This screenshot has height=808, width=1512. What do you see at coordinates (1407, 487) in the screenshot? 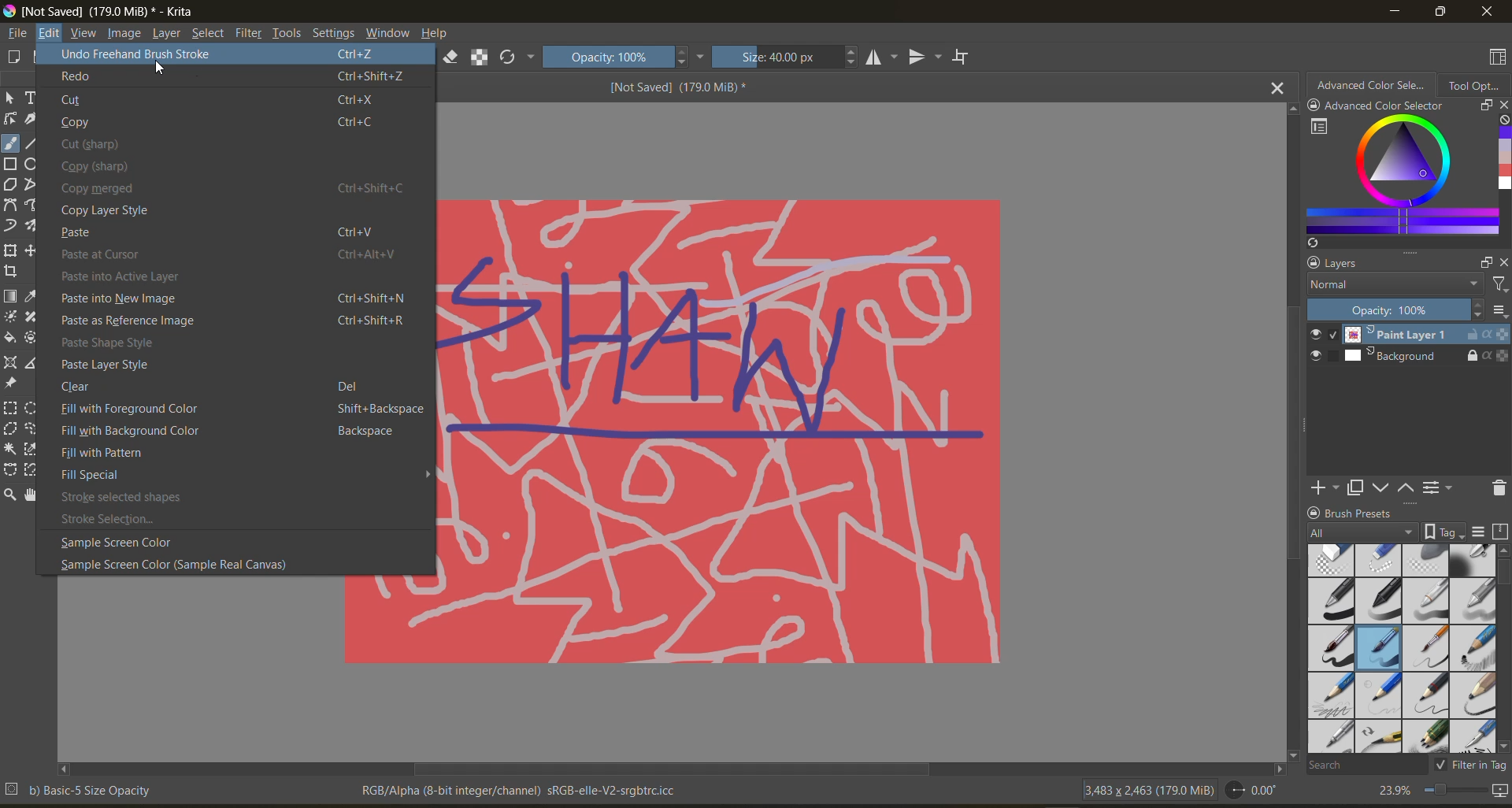
I see `mask up` at bounding box center [1407, 487].